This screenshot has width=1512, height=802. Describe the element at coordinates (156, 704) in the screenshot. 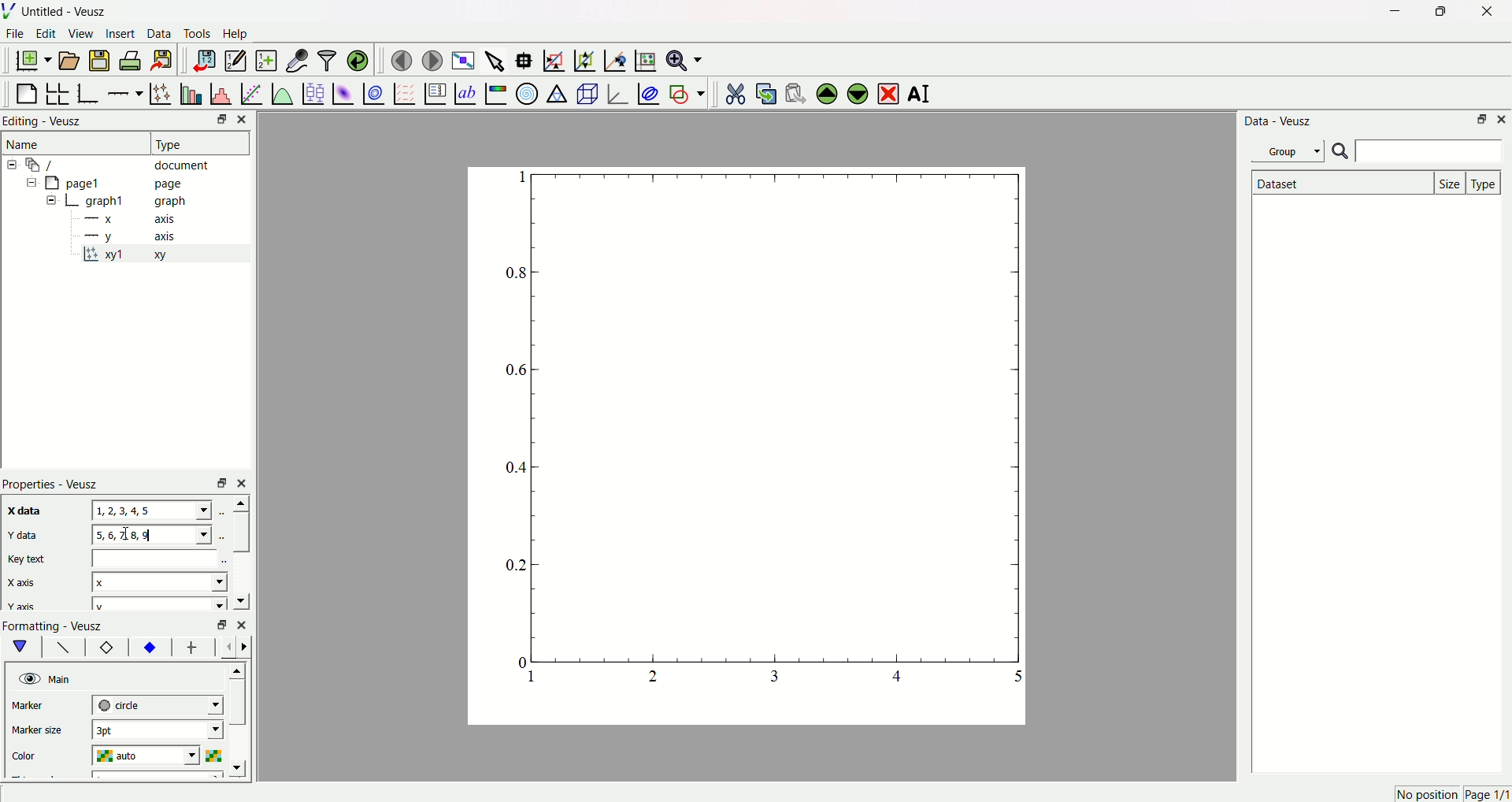

I see `circle` at that location.